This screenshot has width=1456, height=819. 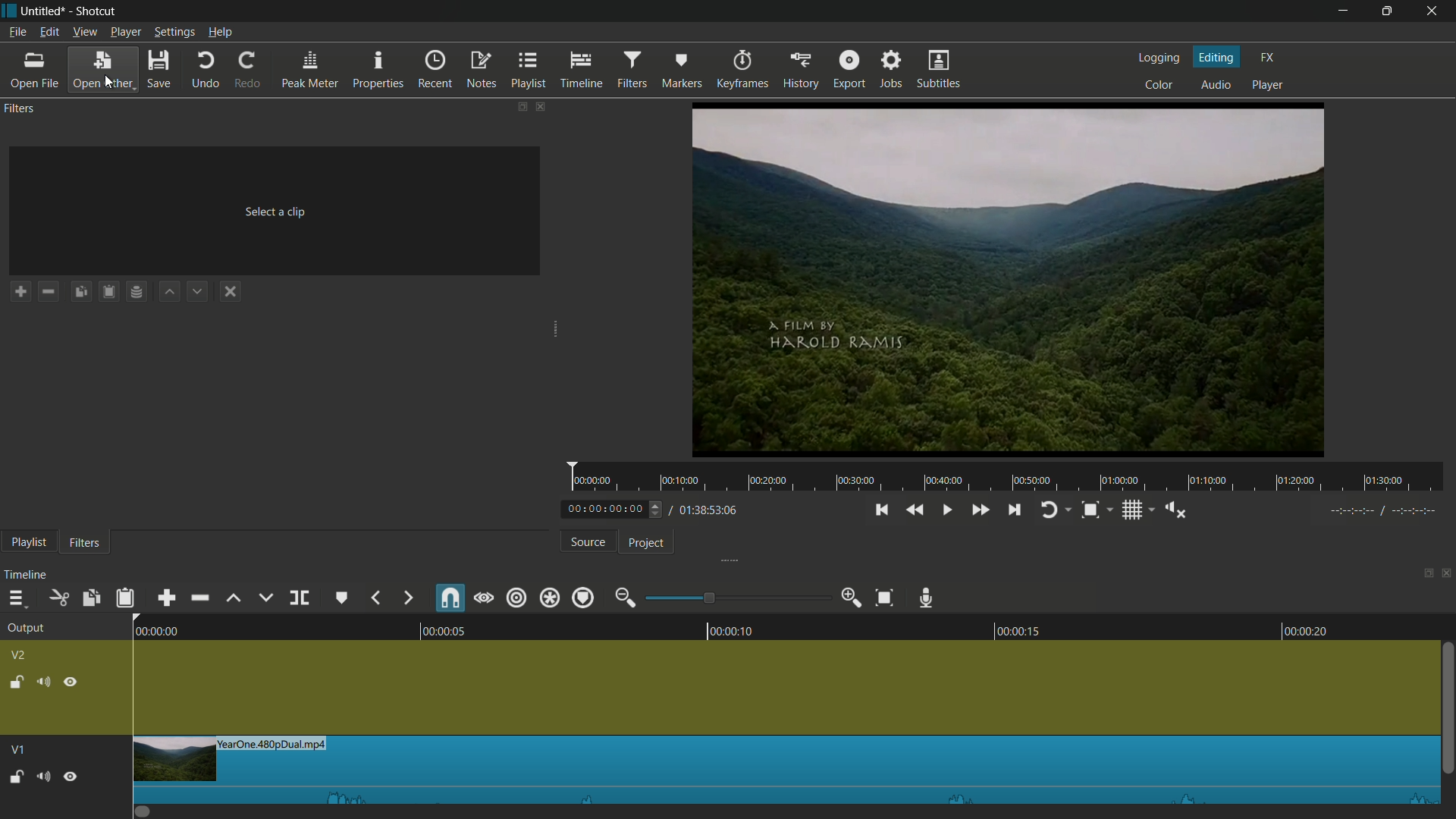 What do you see at coordinates (198, 290) in the screenshot?
I see `move filter down` at bounding box center [198, 290].